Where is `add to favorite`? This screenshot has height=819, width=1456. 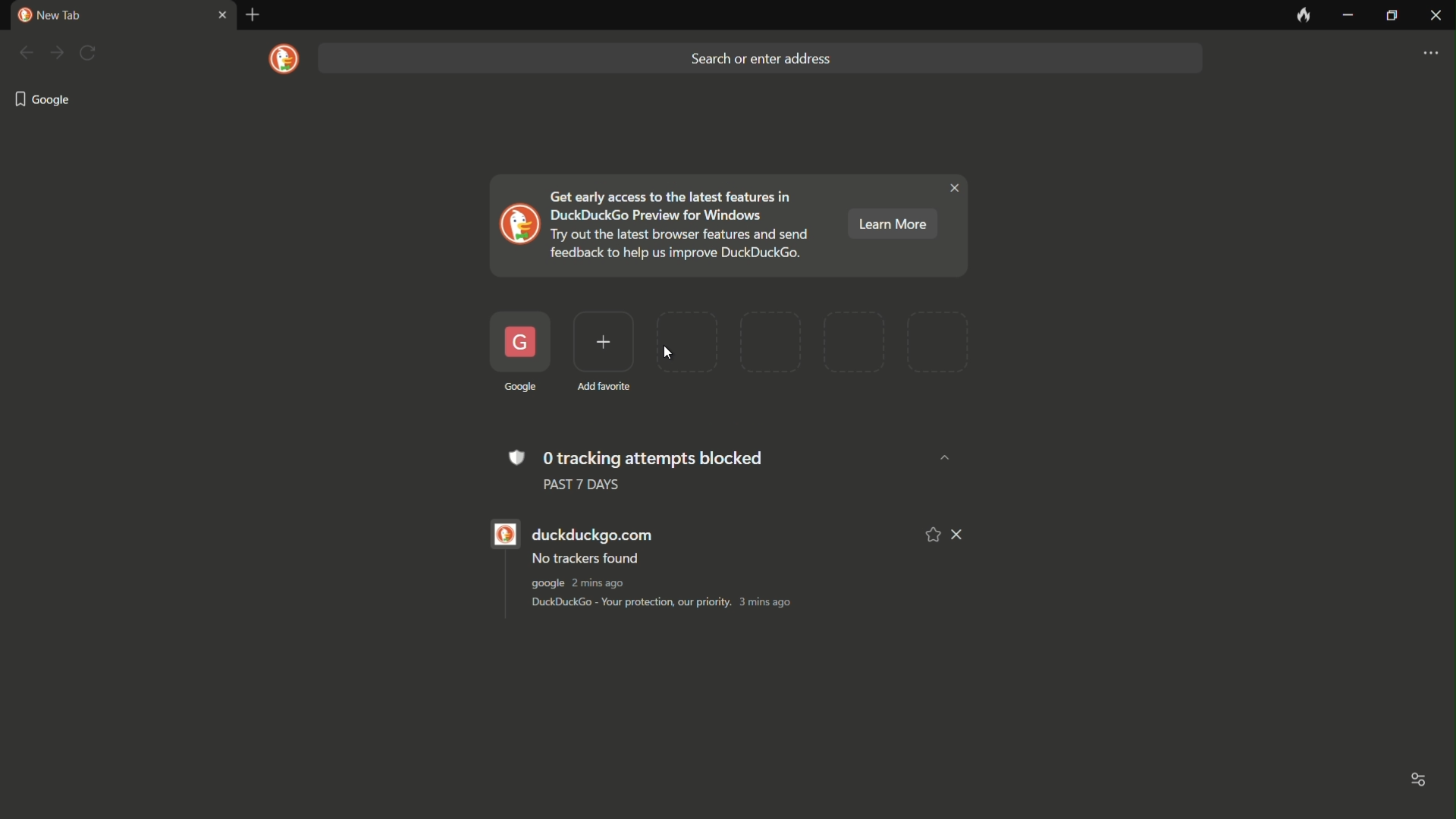
add to favorite is located at coordinates (933, 533).